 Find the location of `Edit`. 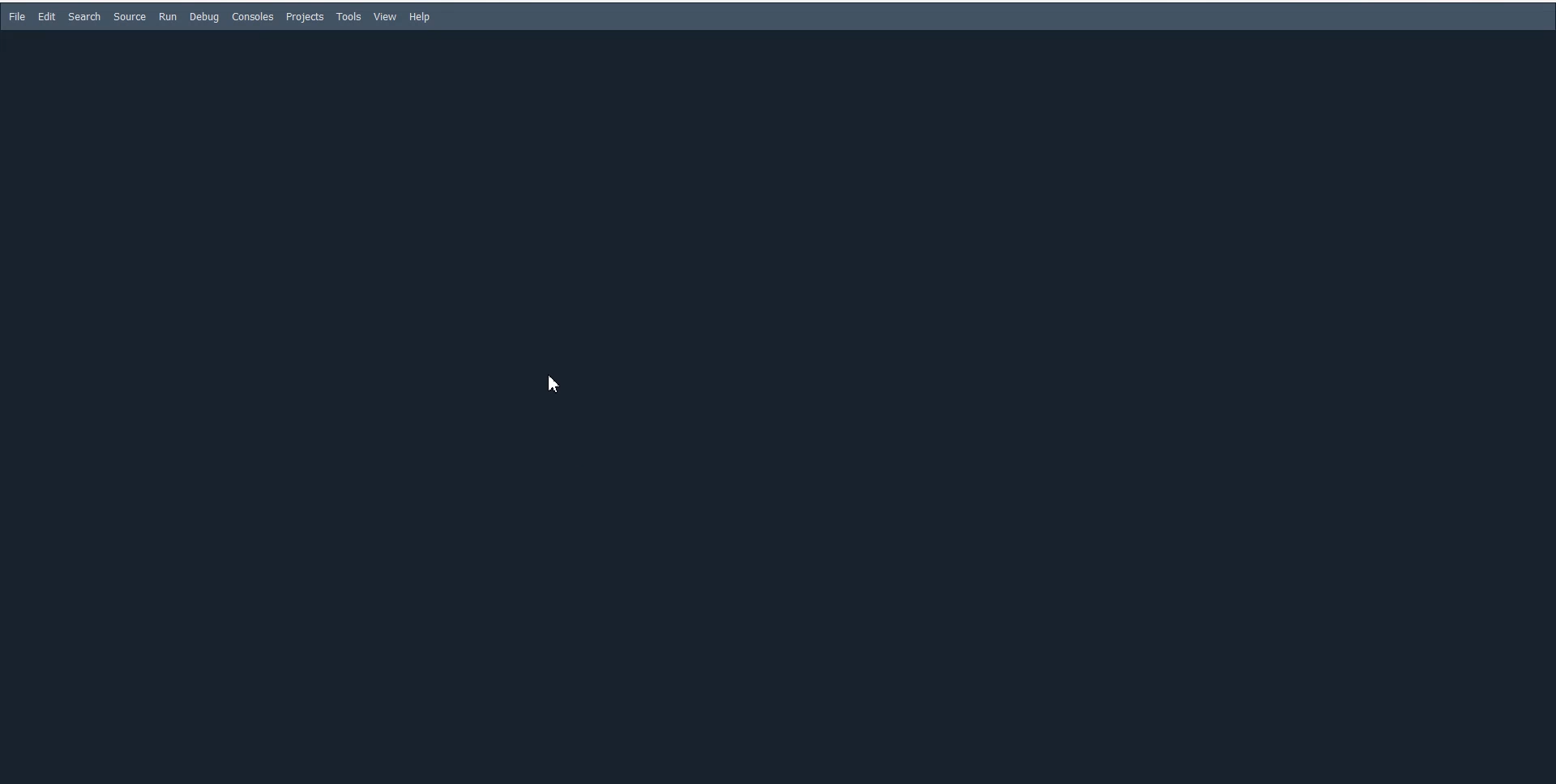

Edit is located at coordinates (47, 16).